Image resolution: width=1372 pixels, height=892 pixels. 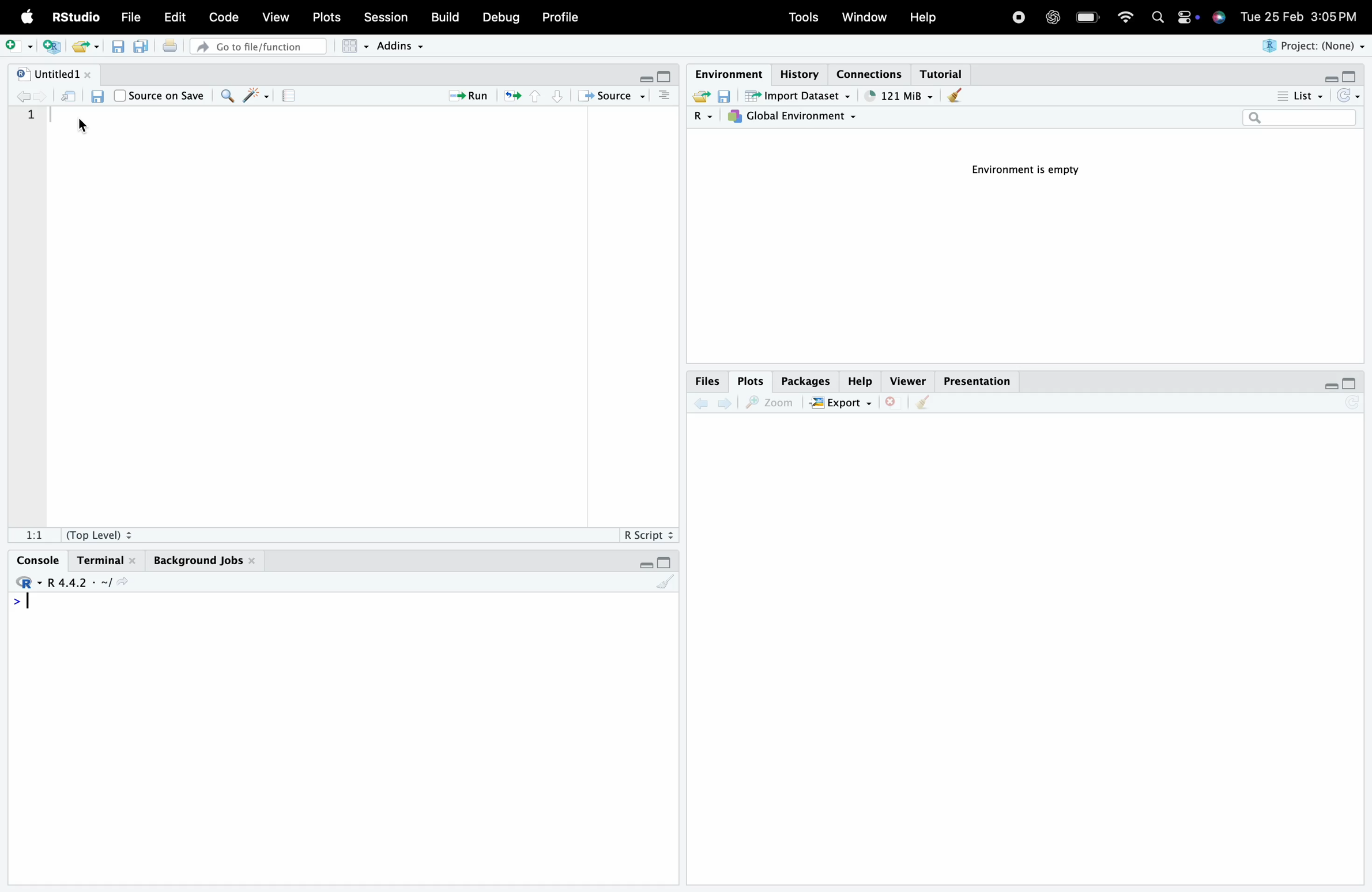 I want to click on Tools, so click(x=805, y=18).